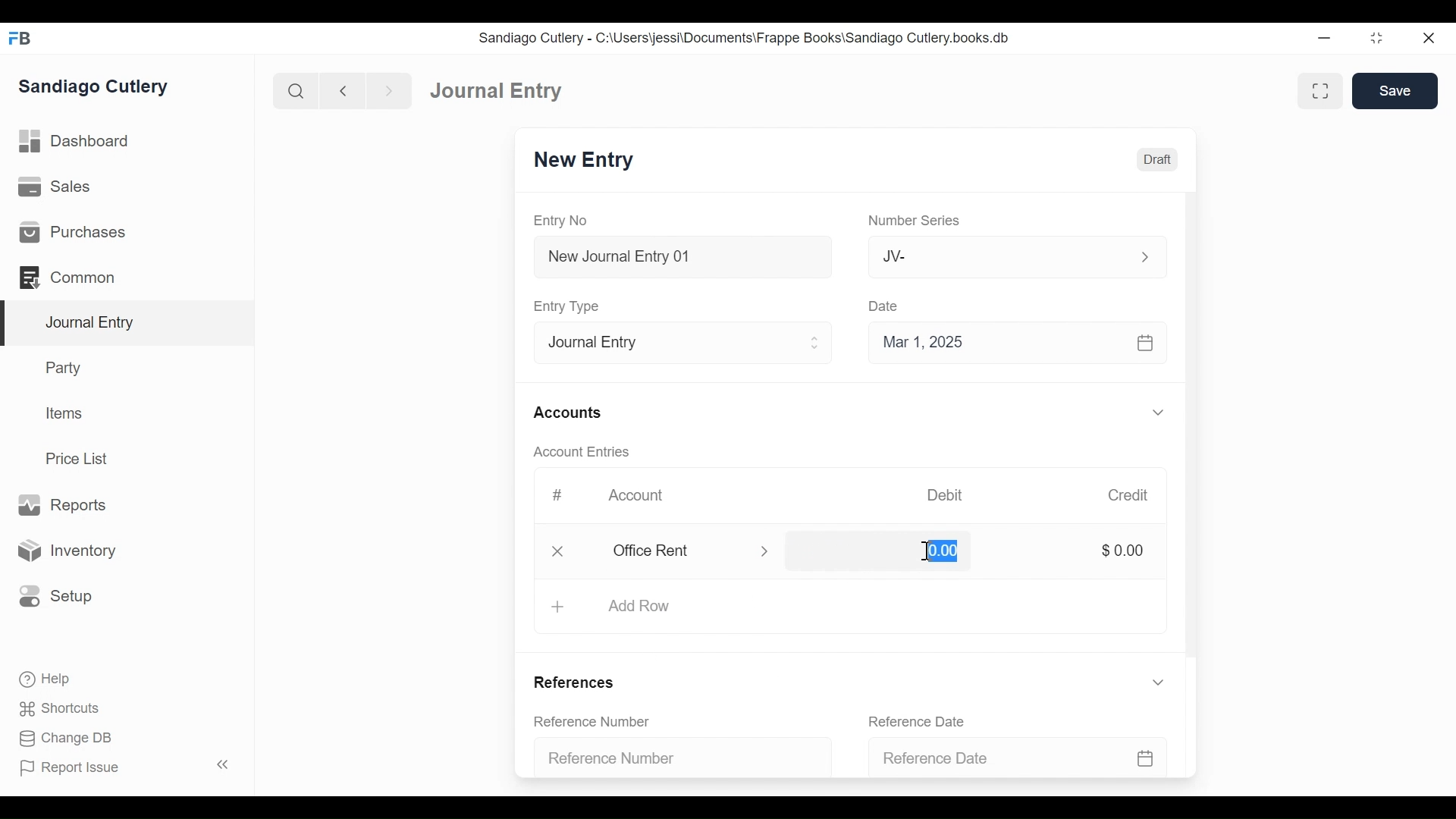 This screenshot has height=819, width=1456. Describe the element at coordinates (566, 413) in the screenshot. I see `Accounts` at that location.